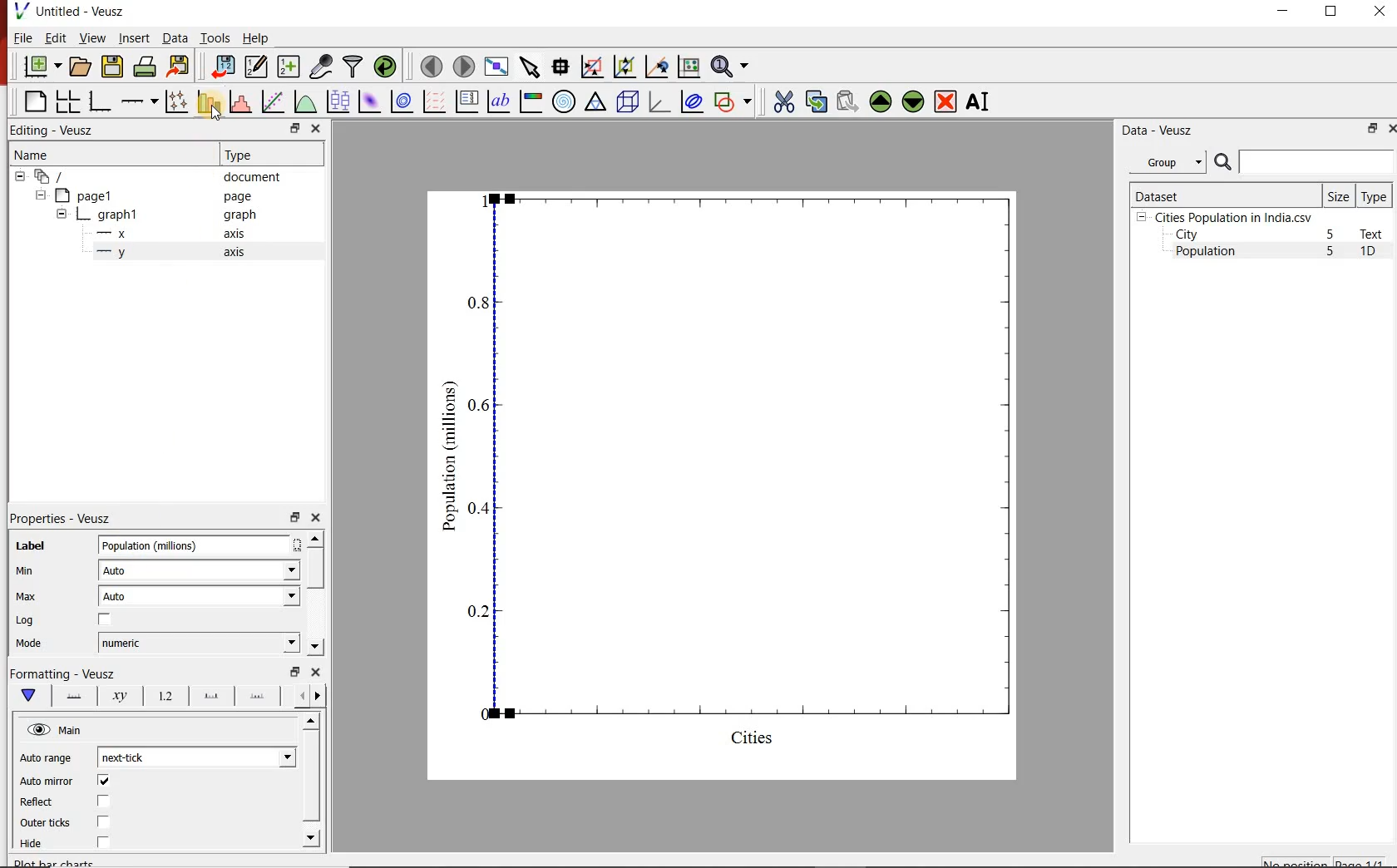  Describe the element at coordinates (564, 101) in the screenshot. I see `polar graph` at that location.